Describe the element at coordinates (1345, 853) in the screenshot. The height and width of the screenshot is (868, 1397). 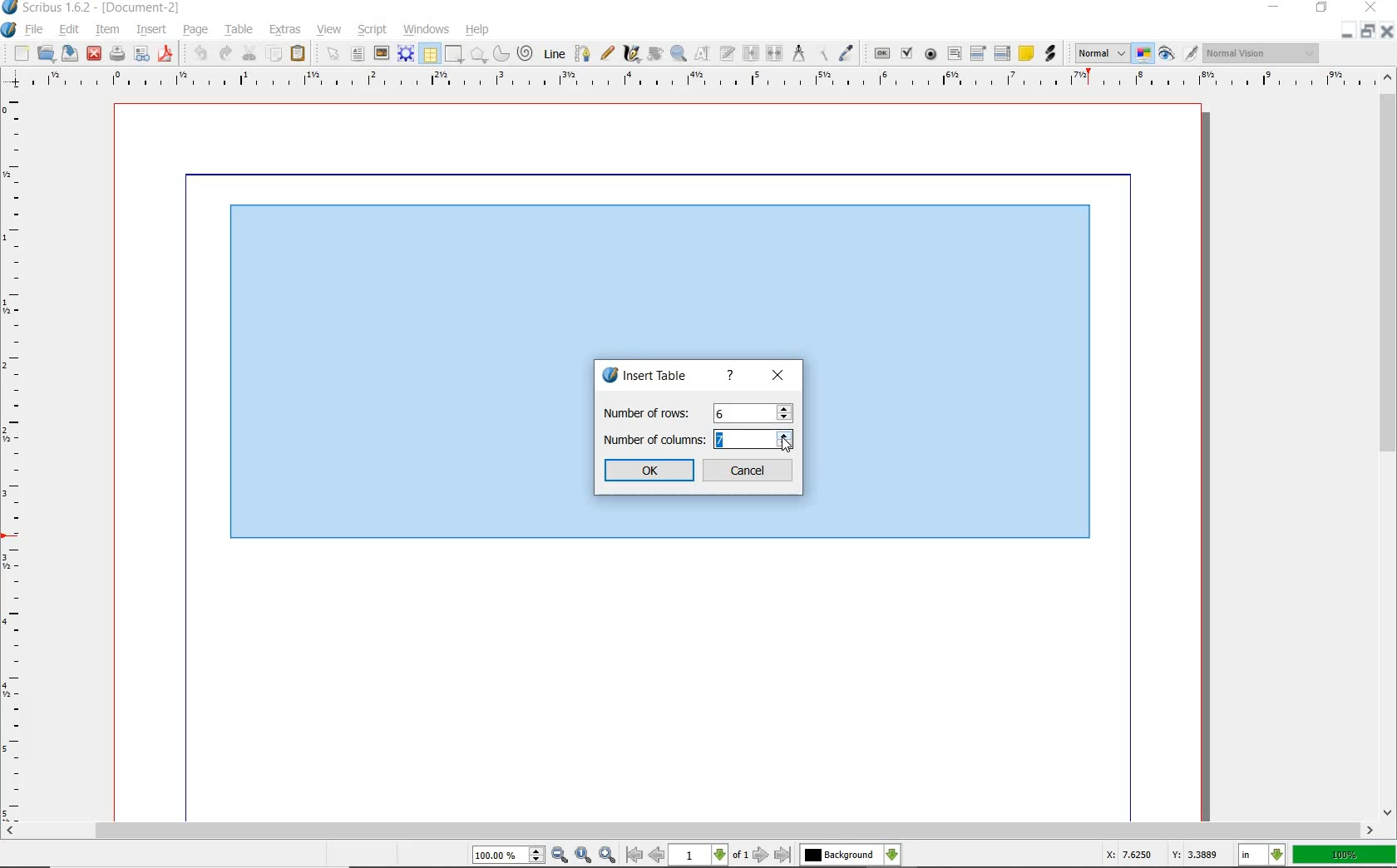
I see `100%` at that location.